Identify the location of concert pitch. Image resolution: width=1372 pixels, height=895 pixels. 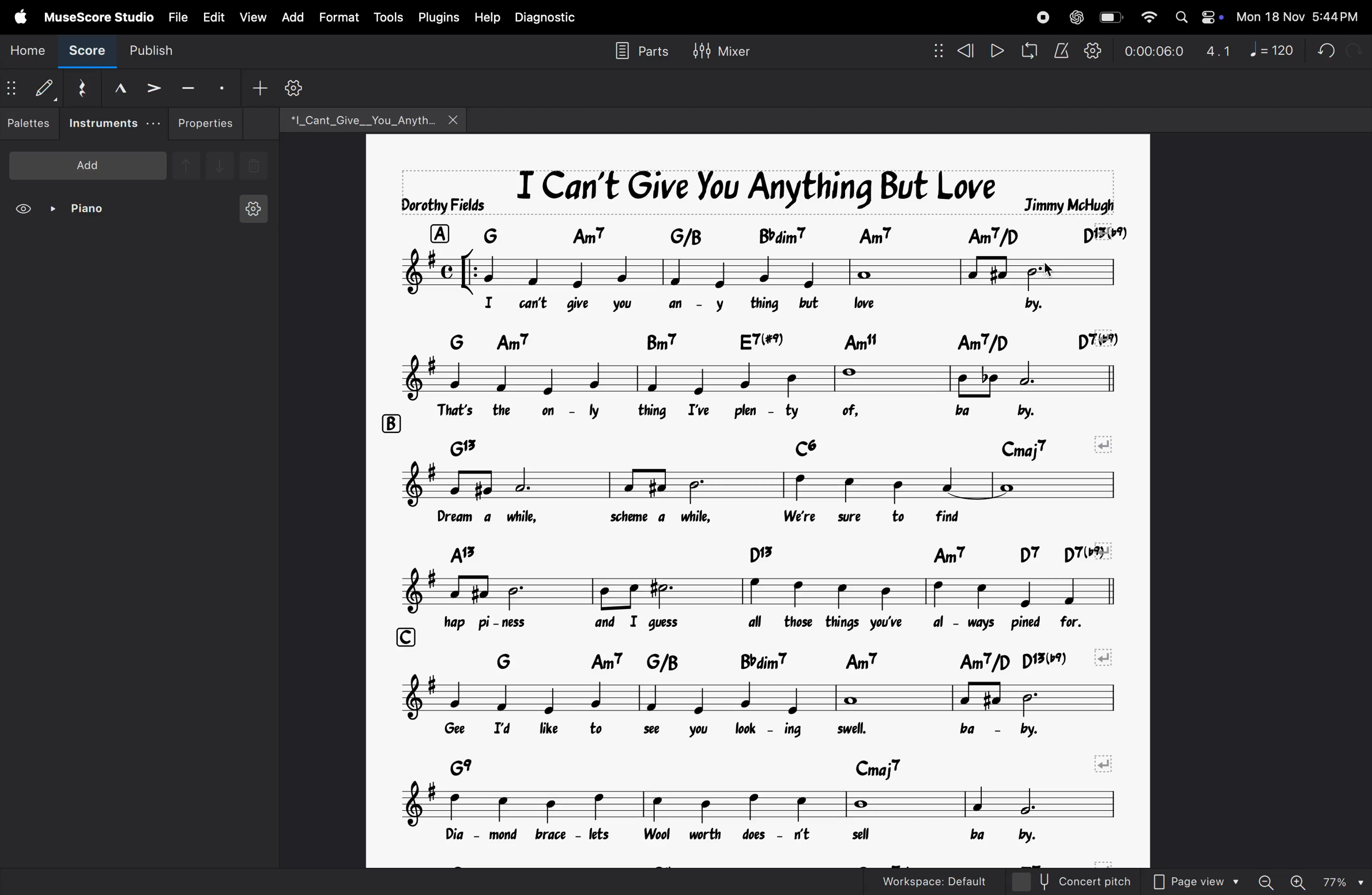
(1071, 881).